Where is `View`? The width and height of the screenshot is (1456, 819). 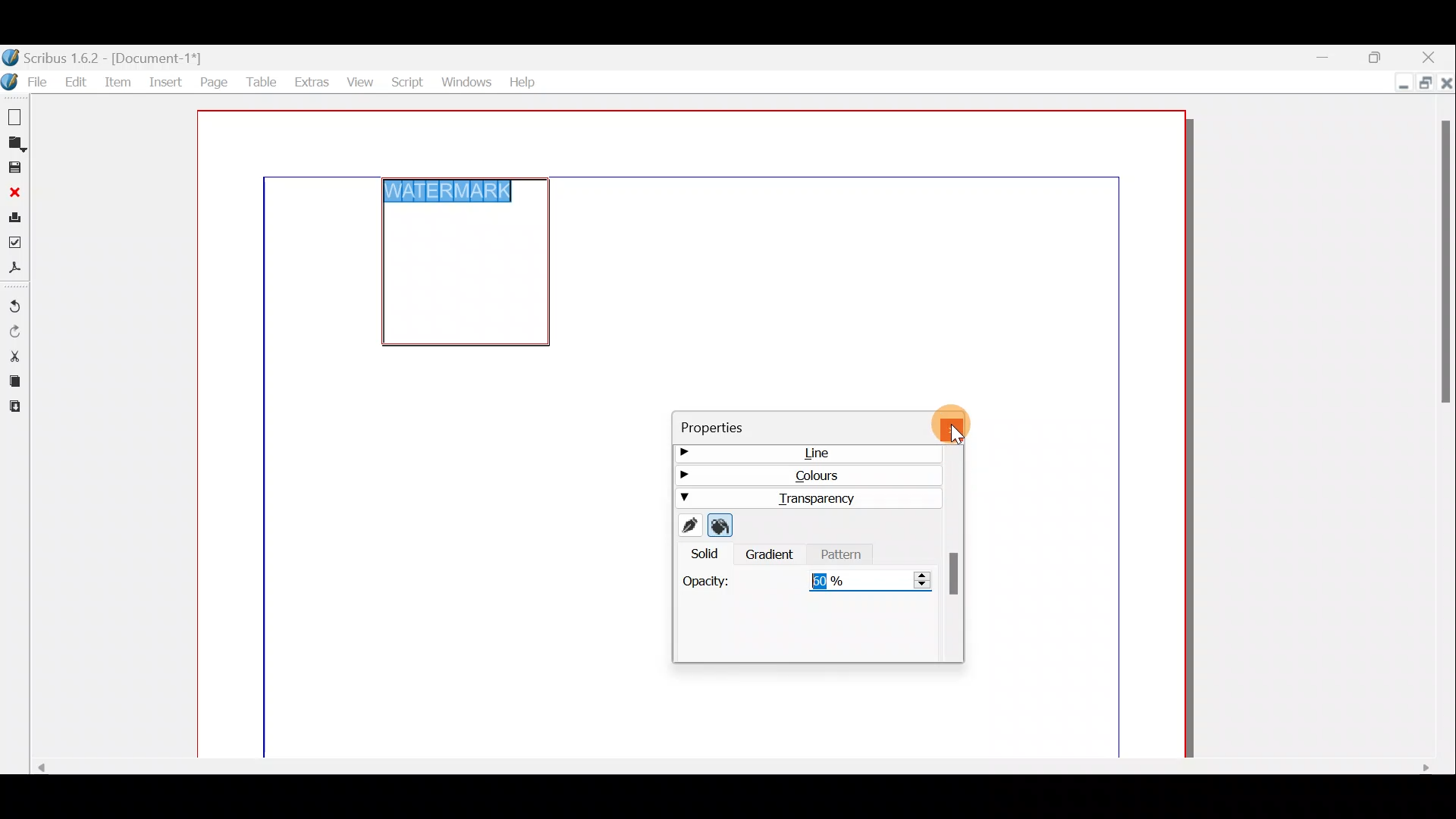 View is located at coordinates (360, 81).